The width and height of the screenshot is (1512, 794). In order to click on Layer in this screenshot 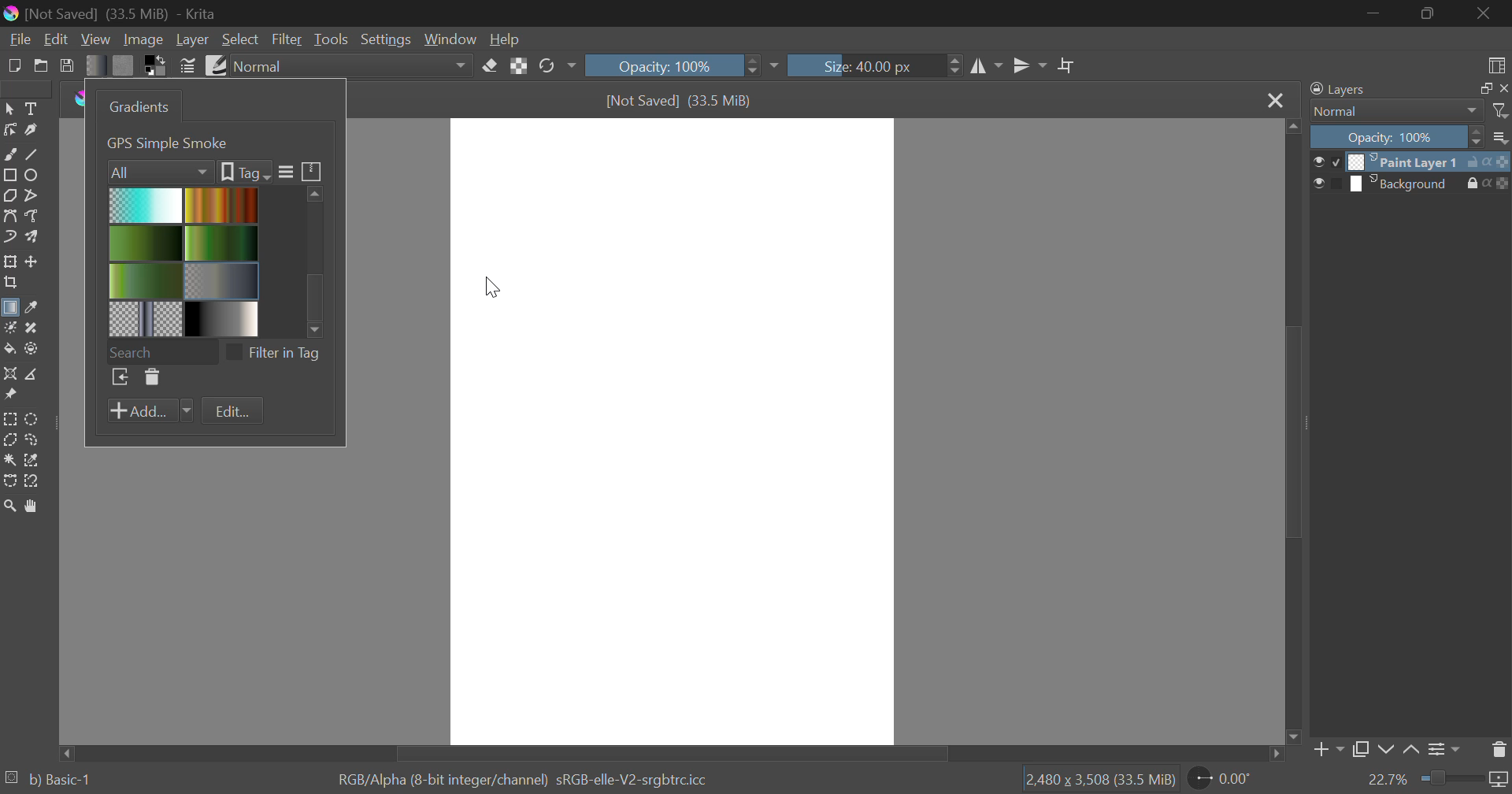, I will do `click(192, 39)`.